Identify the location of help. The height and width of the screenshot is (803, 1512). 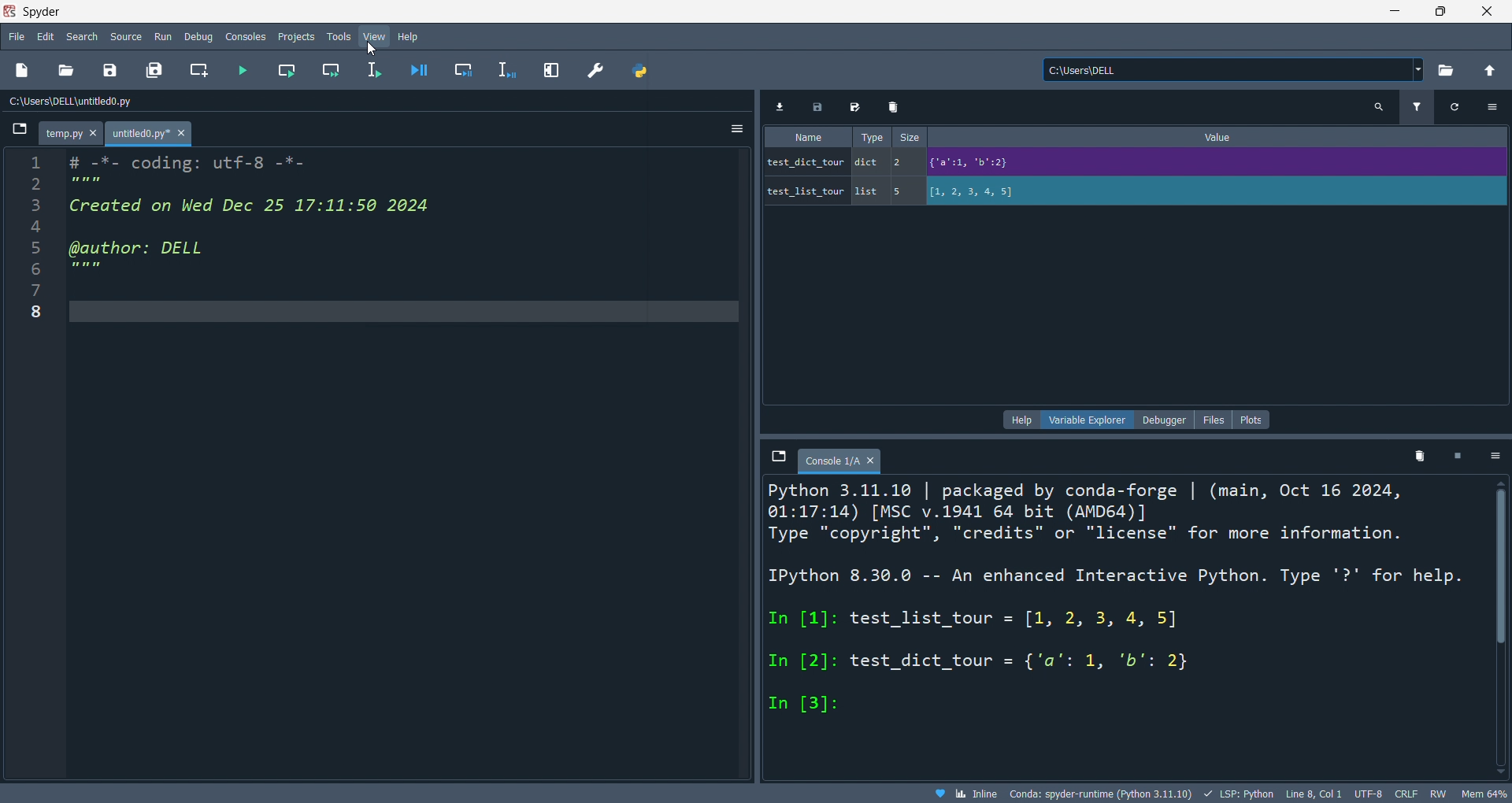
(1023, 420).